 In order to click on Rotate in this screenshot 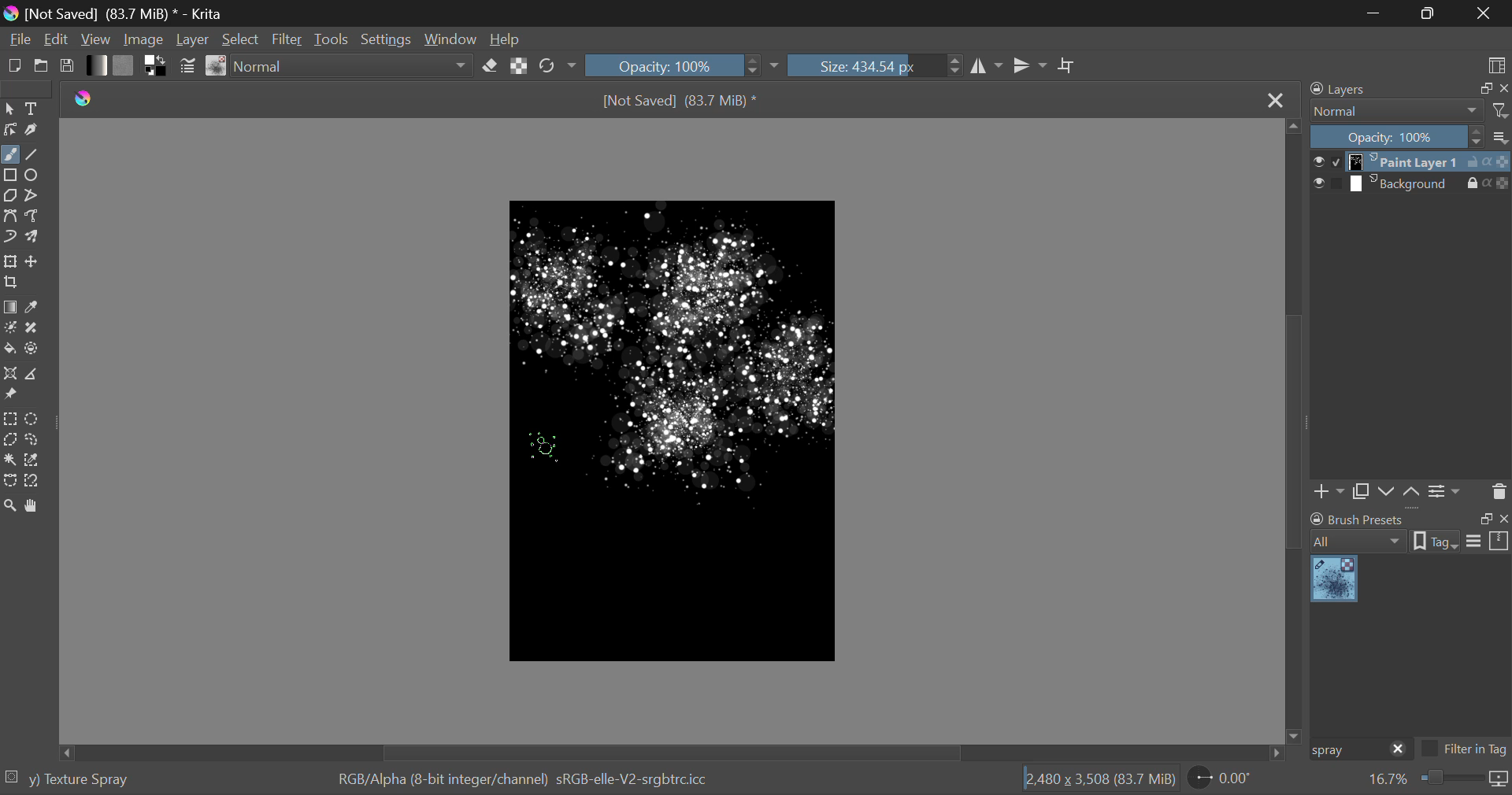, I will do `click(559, 66)`.